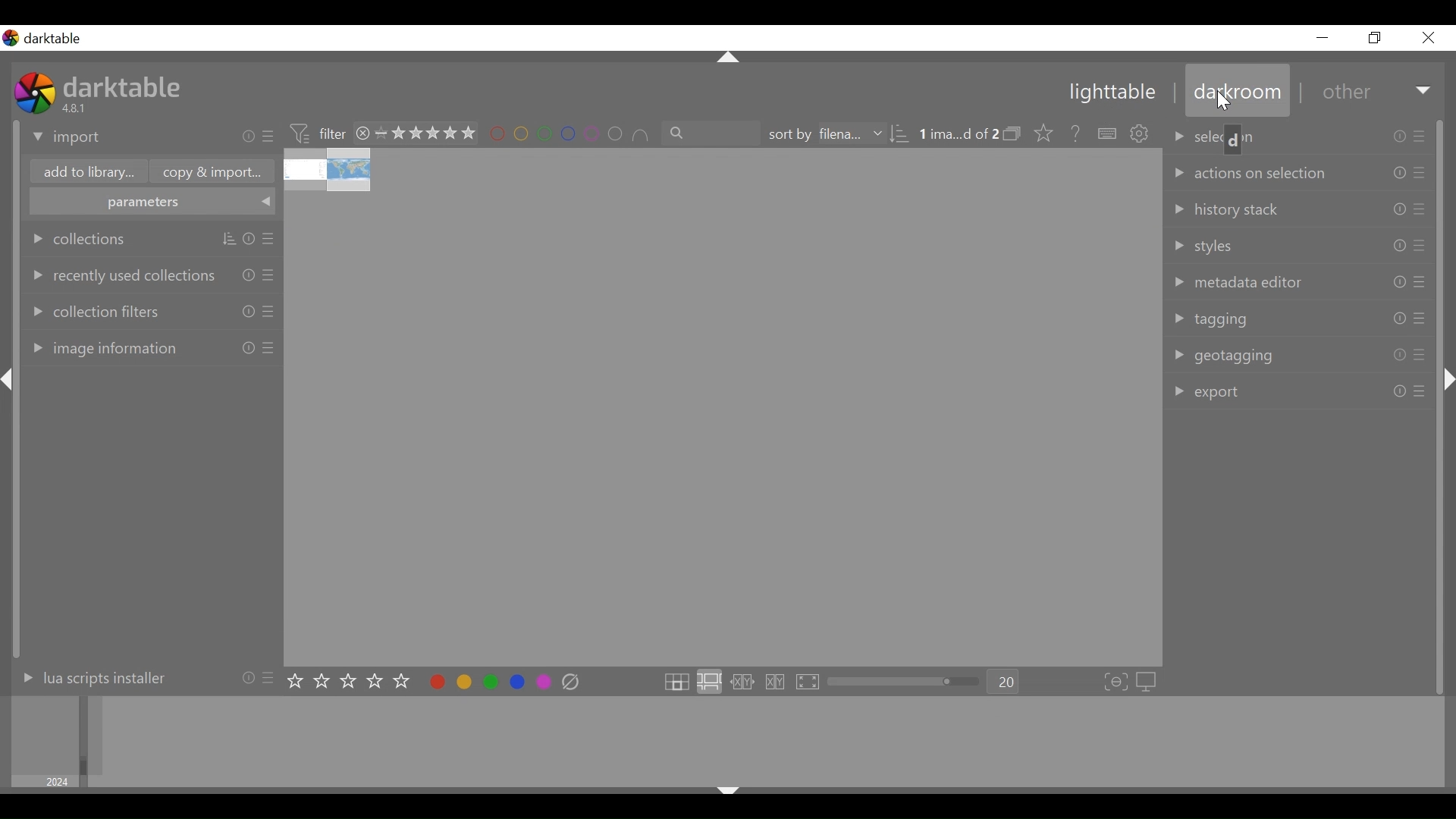 Image resolution: width=1456 pixels, height=819 pixels. Describe the element at coordinates (1420, 356) in the screenshot. I see `` at that location.